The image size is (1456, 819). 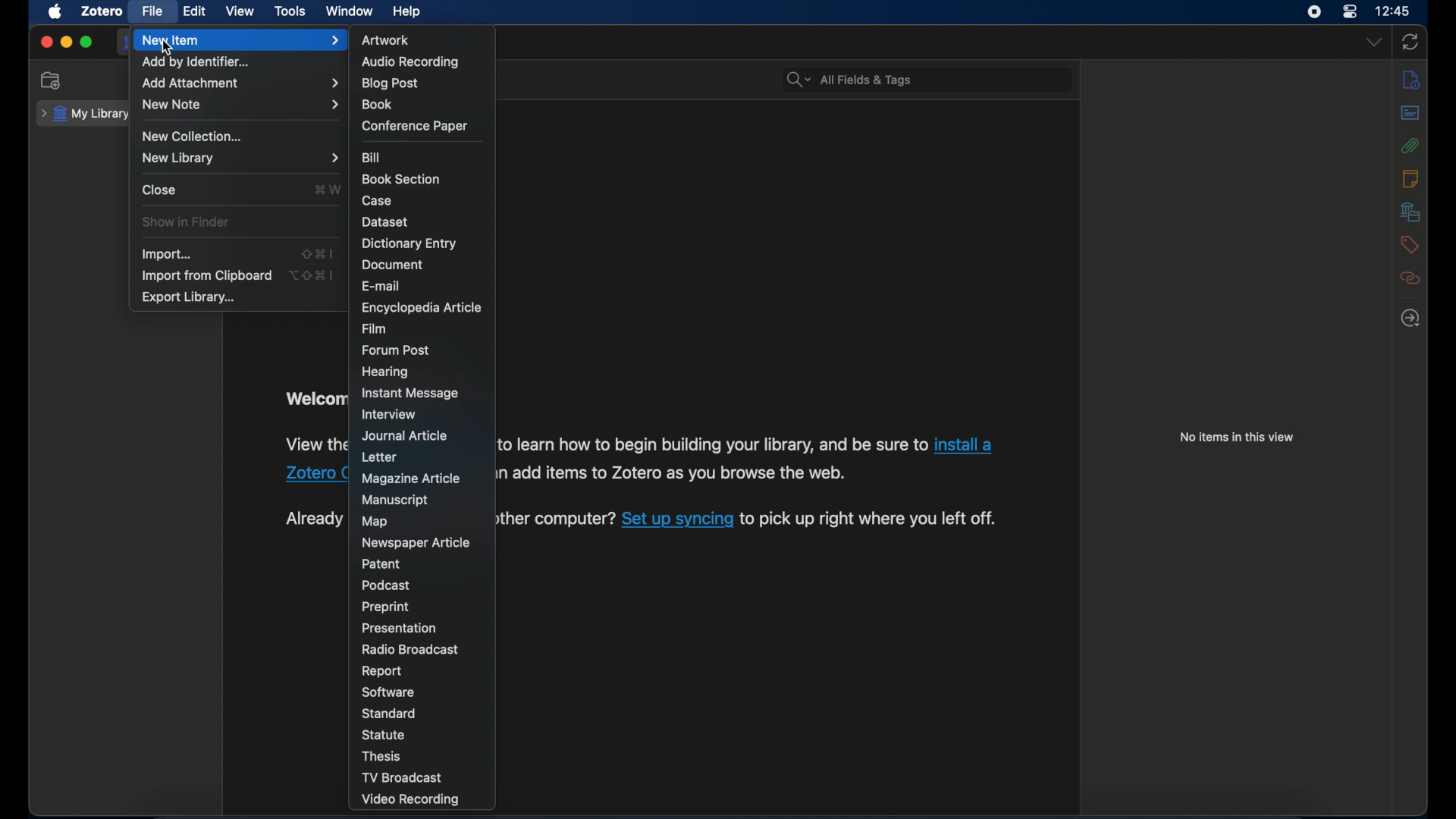 I want to click on dropdown, so click(x=1374, y=41).